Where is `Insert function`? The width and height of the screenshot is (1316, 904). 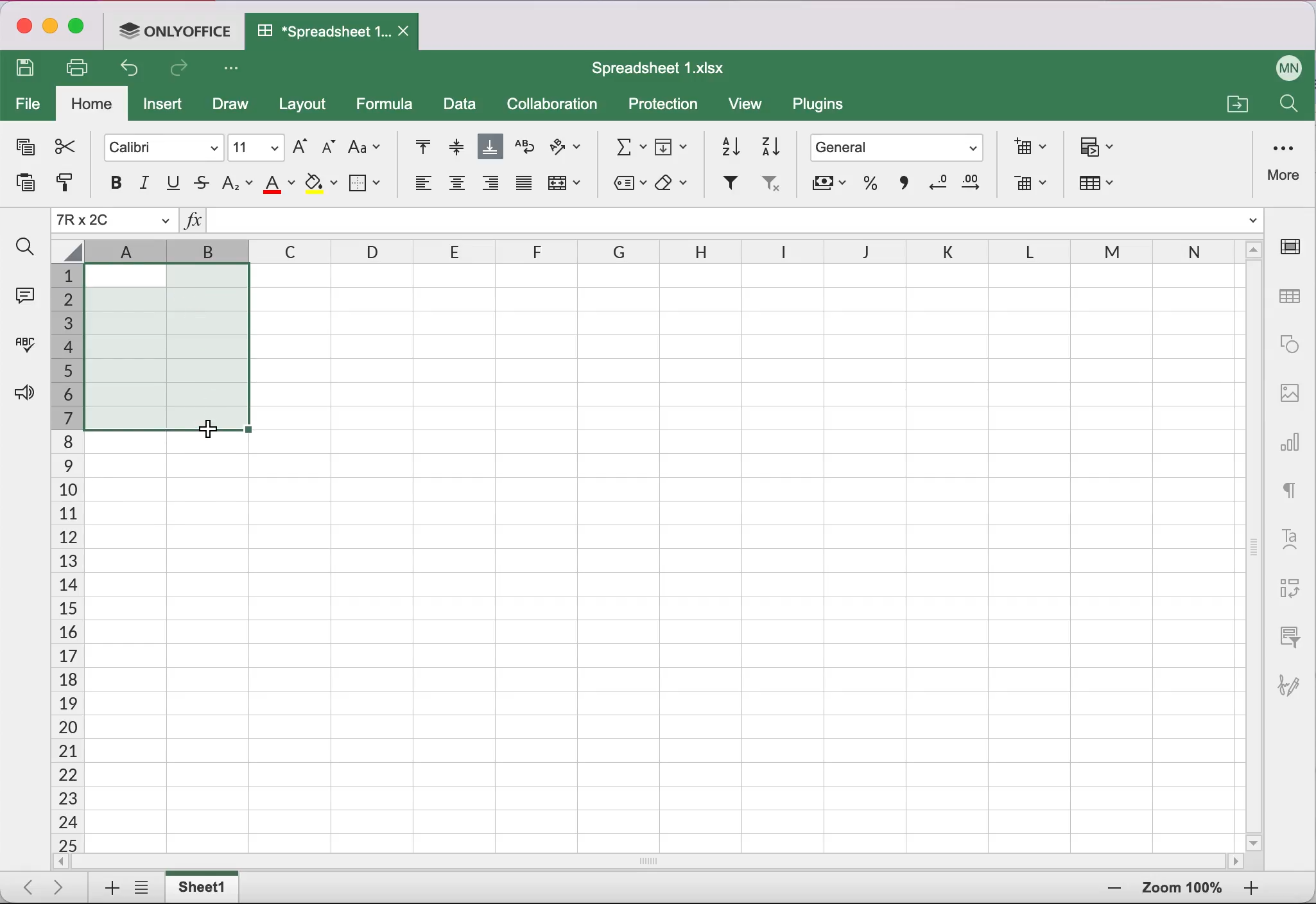 Insert function is located at coordinates (193, 223).